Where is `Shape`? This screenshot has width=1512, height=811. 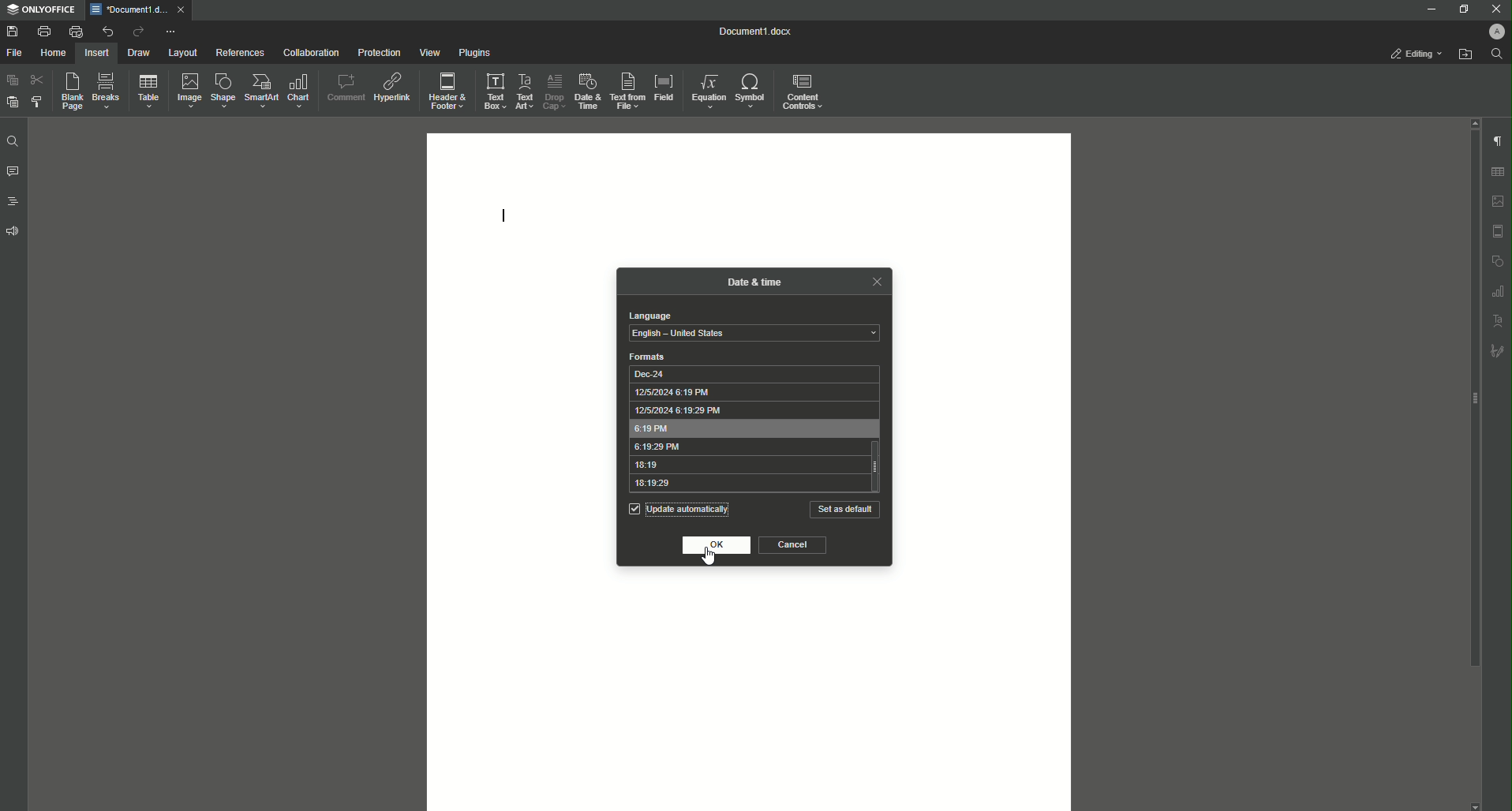
Shape is located at coordinates (220, 91).